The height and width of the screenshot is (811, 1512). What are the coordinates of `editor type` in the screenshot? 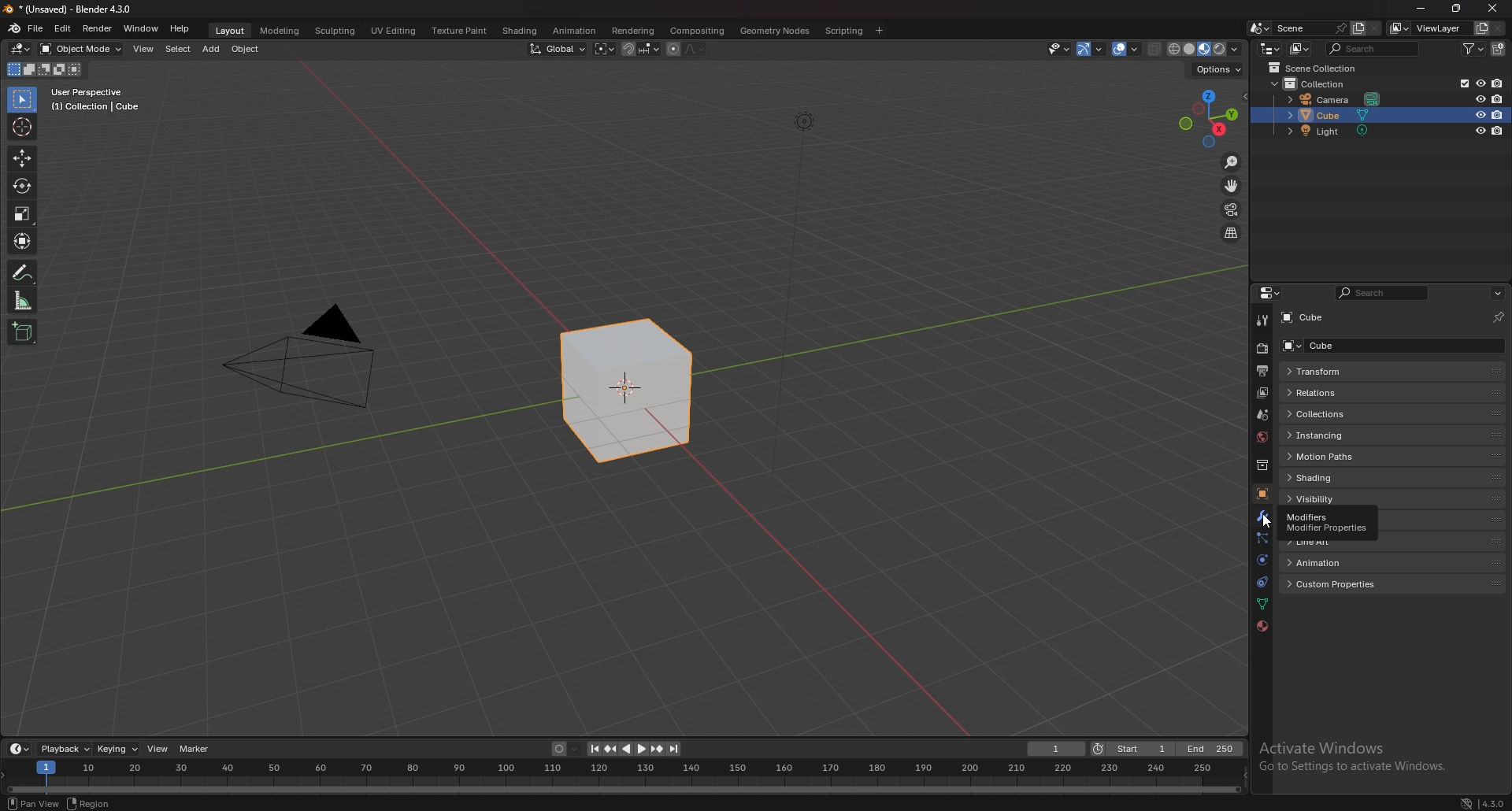 It's located at (1272, 294).